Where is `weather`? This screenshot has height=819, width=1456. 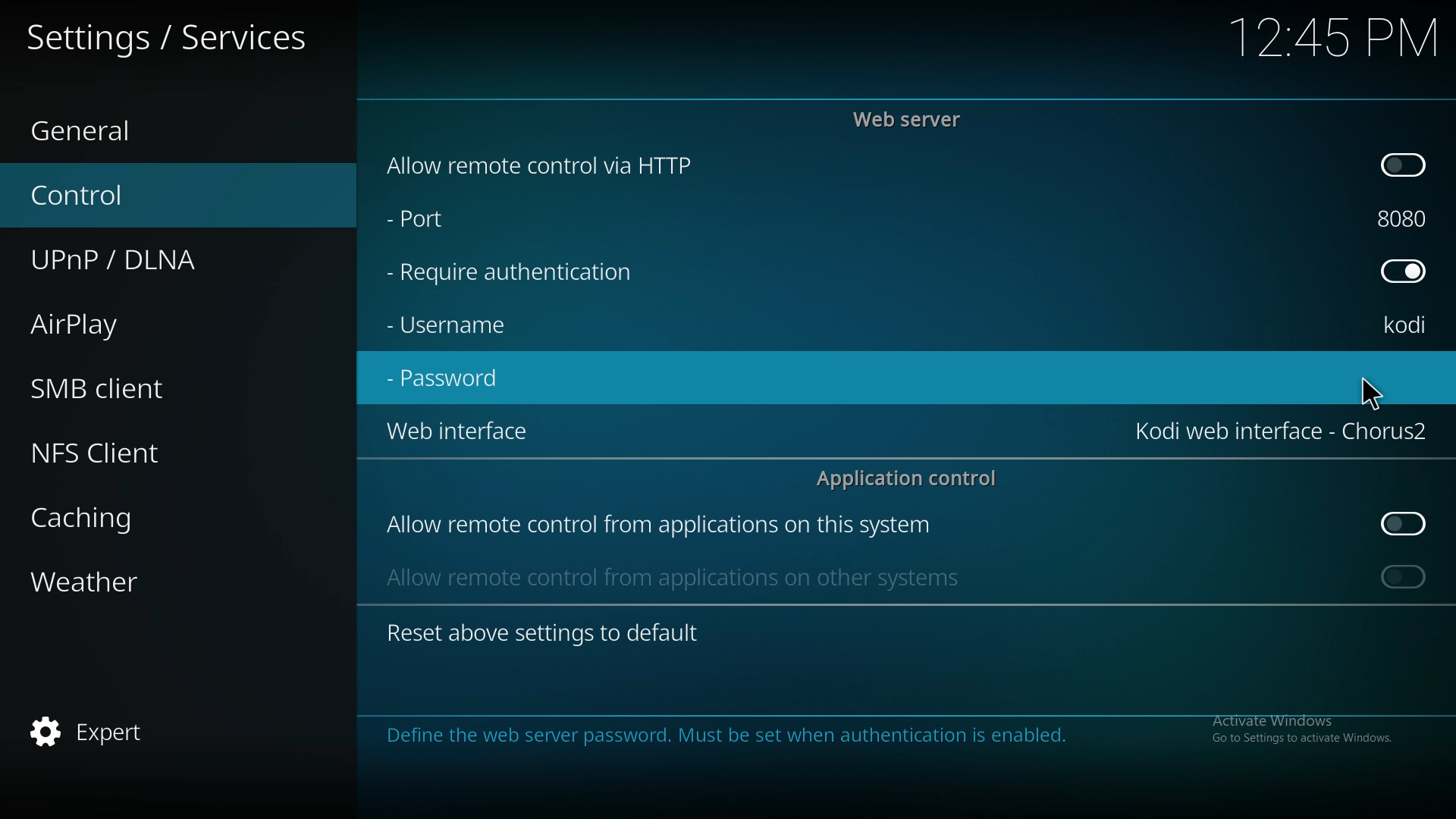
weather is located at coordinates (138, 585).